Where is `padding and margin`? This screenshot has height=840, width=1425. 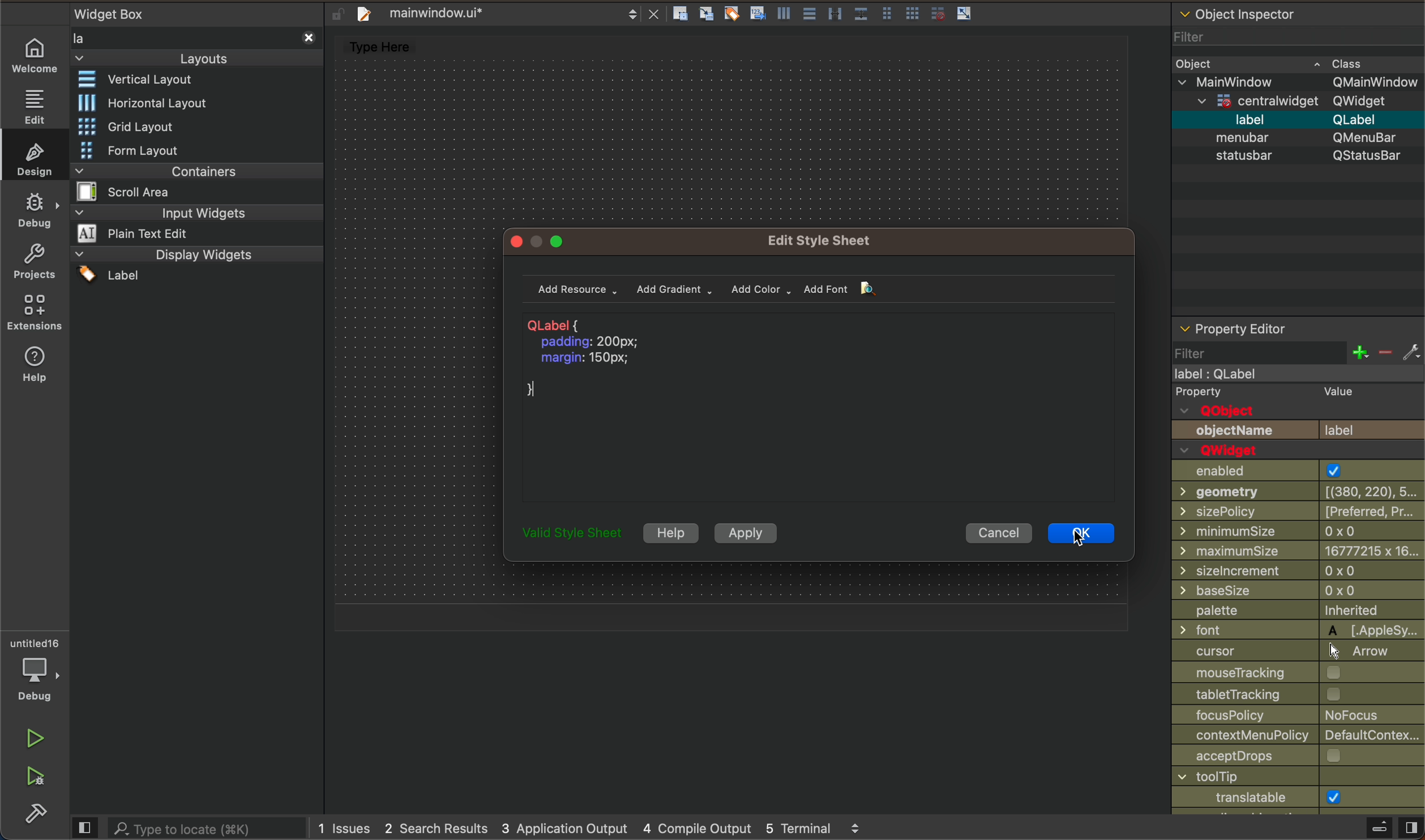
padding and margin is located at coordinates (604, 358).